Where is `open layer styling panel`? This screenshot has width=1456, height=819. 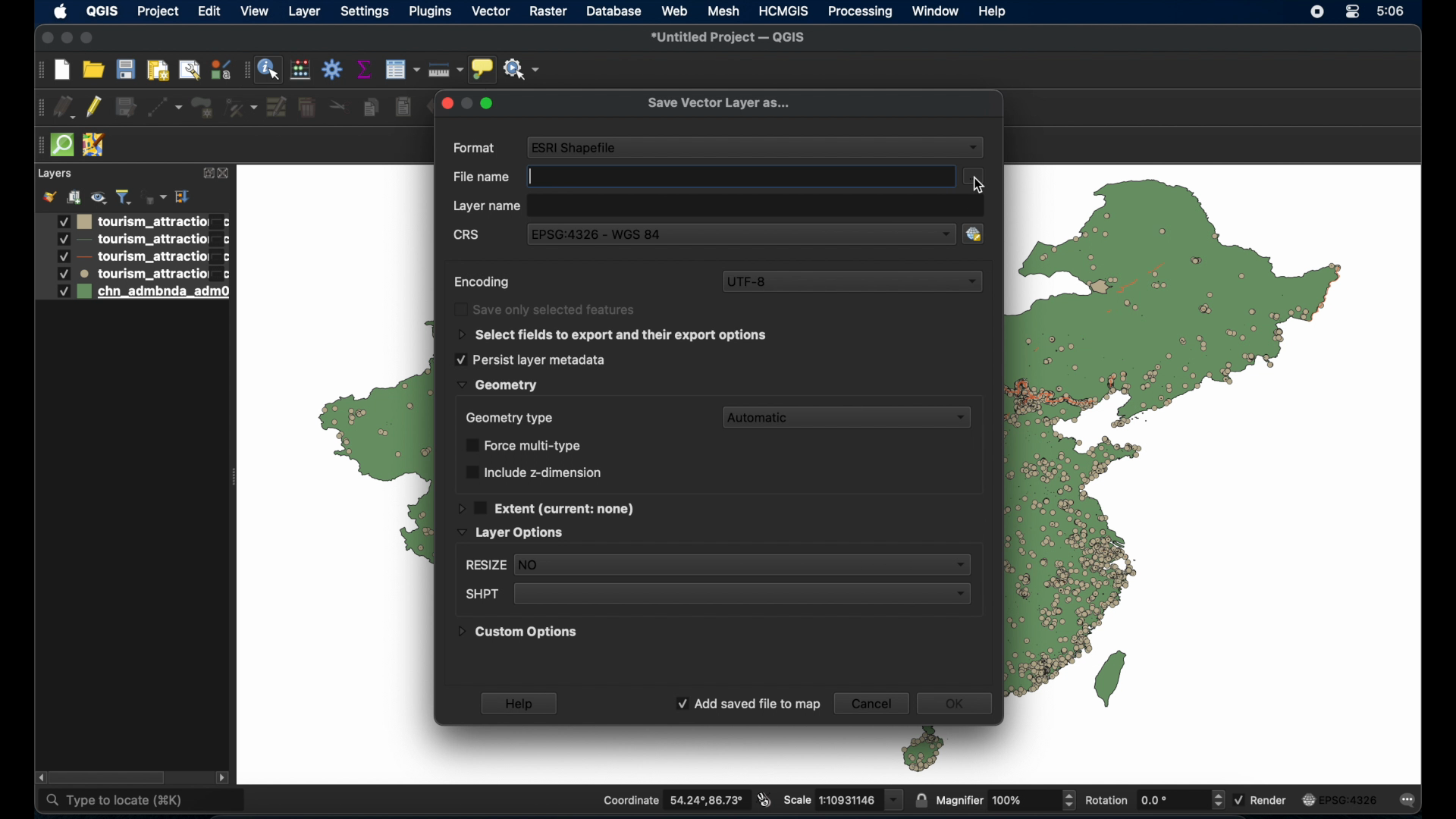 open layer styling panel is located at coordinates (49, 196).